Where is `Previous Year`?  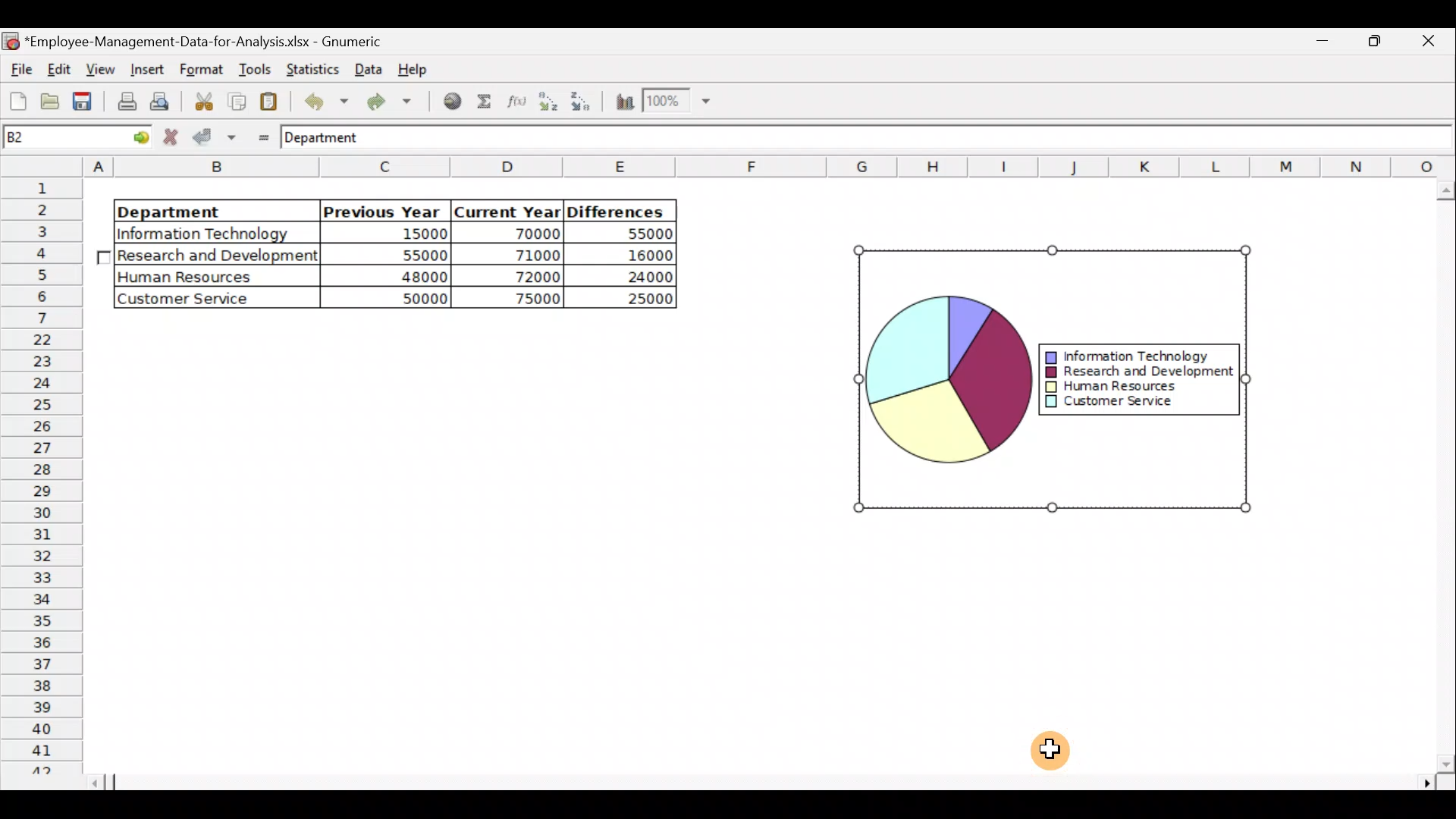
Previous Year is located at coordinates (382, 209).